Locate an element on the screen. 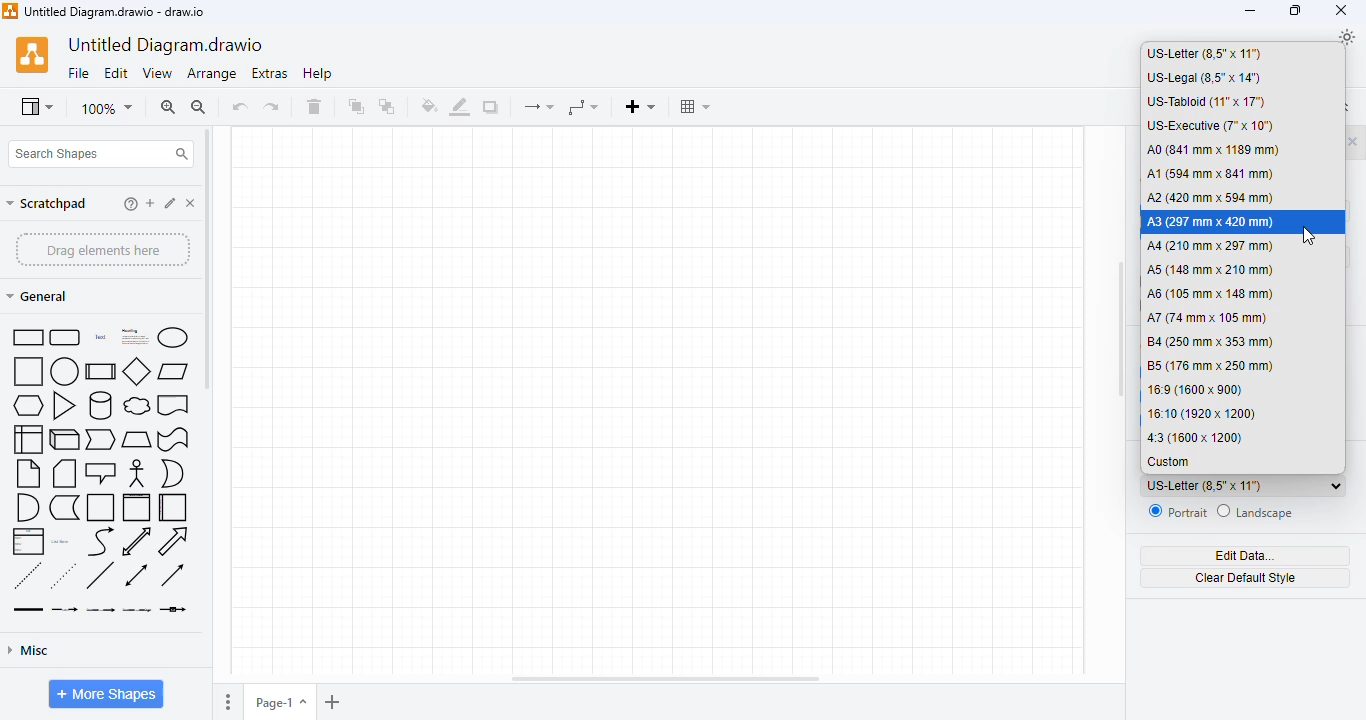 This screenshot has height=720, width=1366. to front is located at coordinates (355, 106).